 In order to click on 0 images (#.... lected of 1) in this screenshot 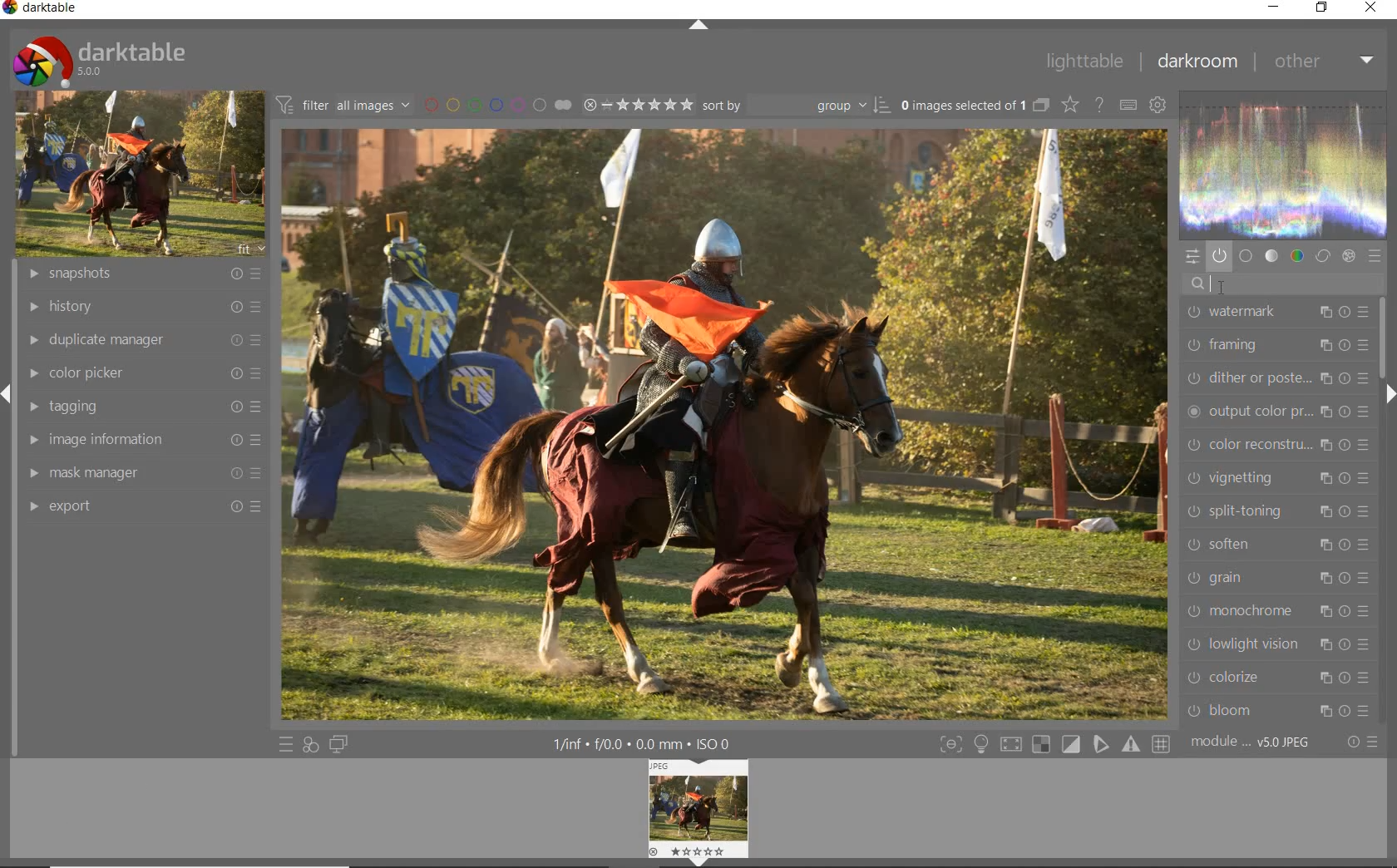, I will do `click(973, 105)`.